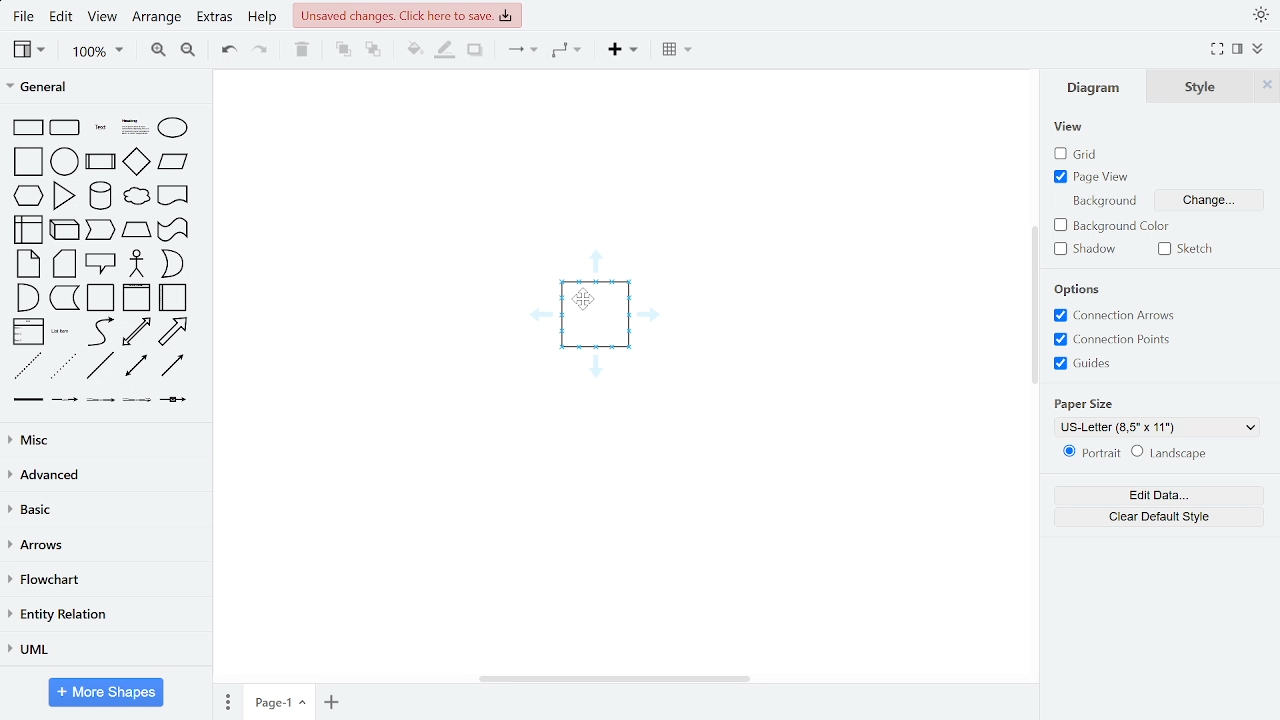 Image resolution: width=1280 pixels, height=720 pixels. What do you see at coordinates (65, 127) in the screenshot?
I see `general shapes` at bounding box center [65, 127].